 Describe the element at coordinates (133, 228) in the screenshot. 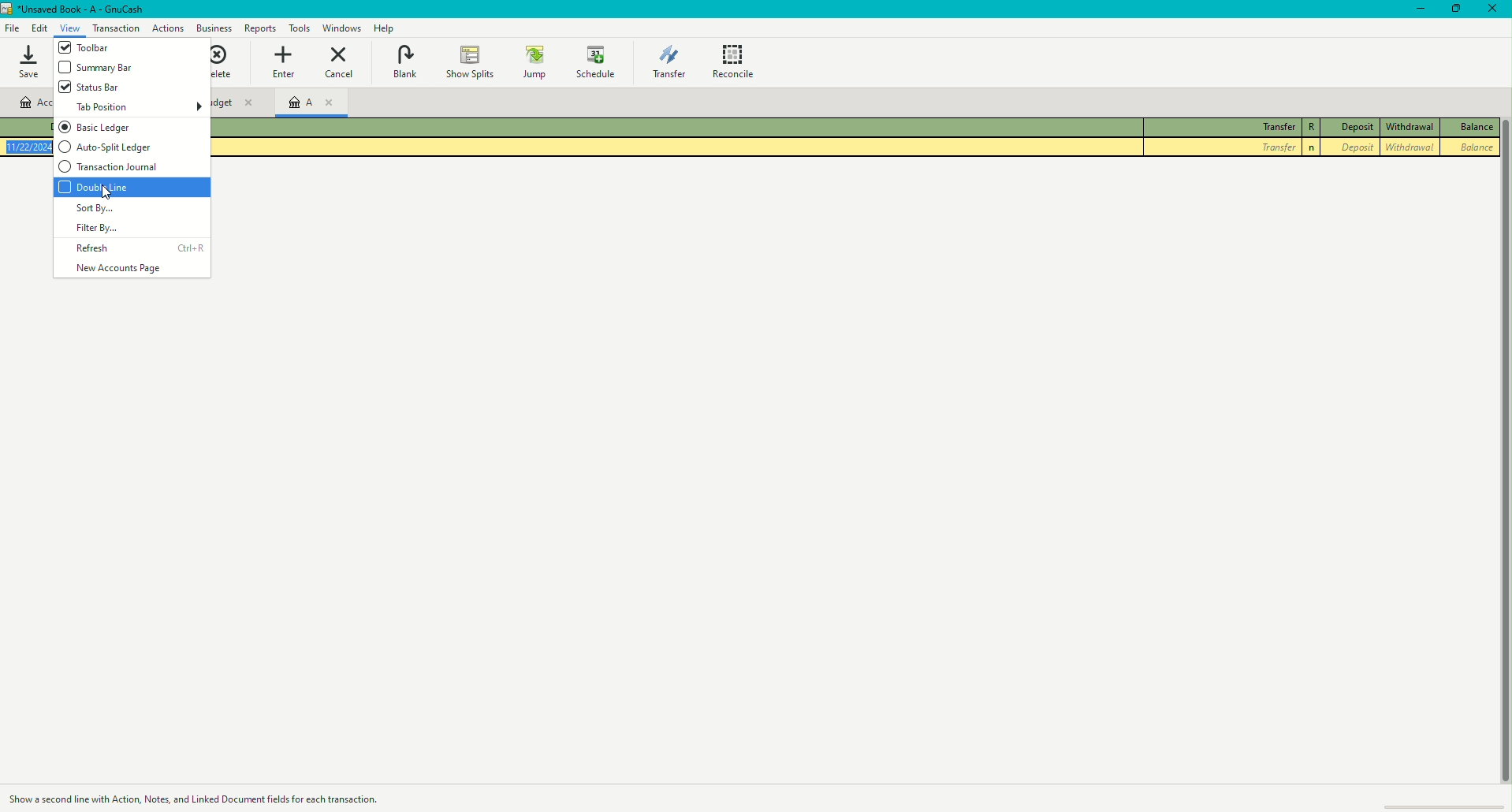

I see `Filter By` at that location.